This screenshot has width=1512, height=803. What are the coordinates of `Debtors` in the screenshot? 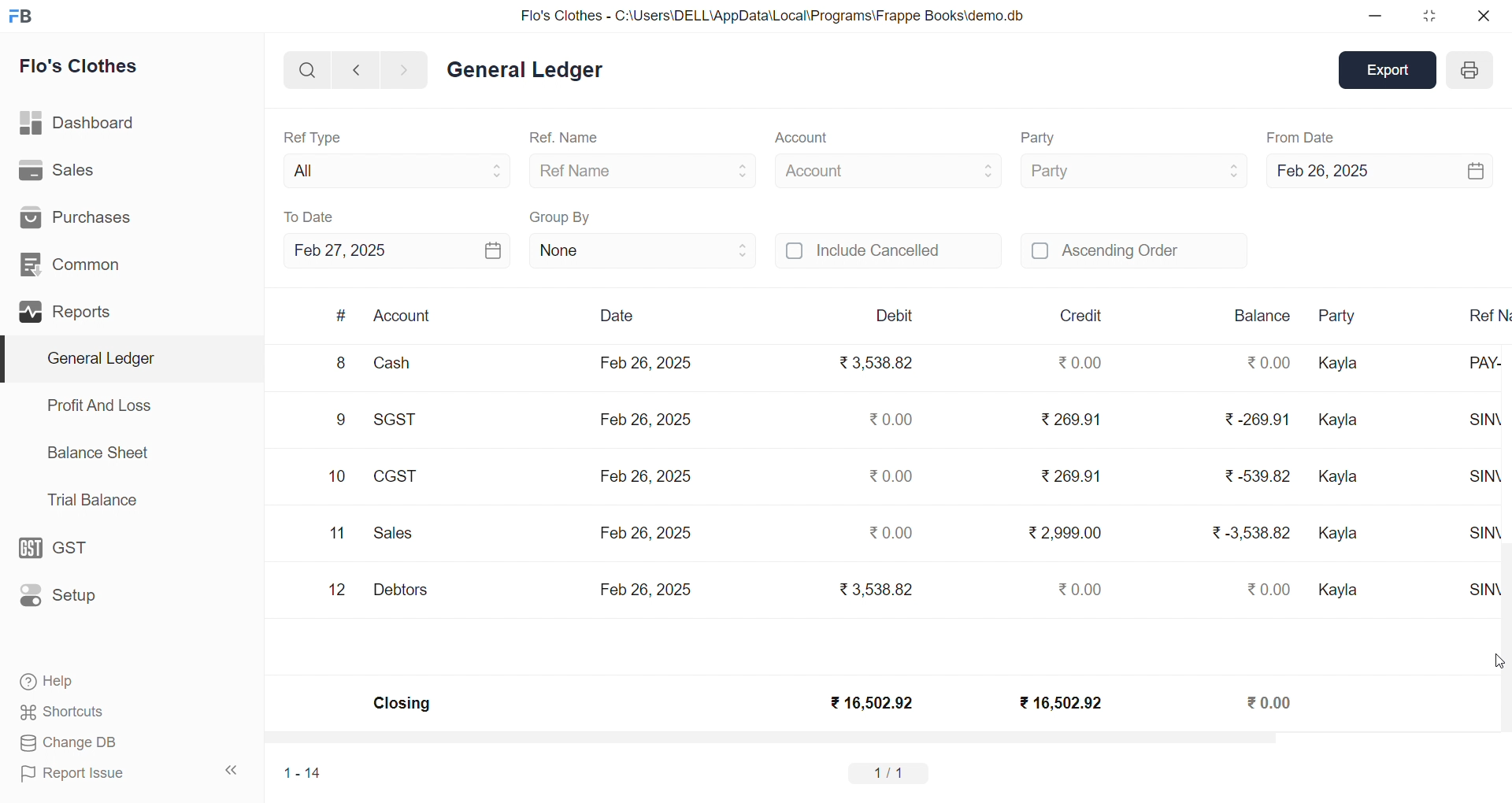 It's located at (400, 590).